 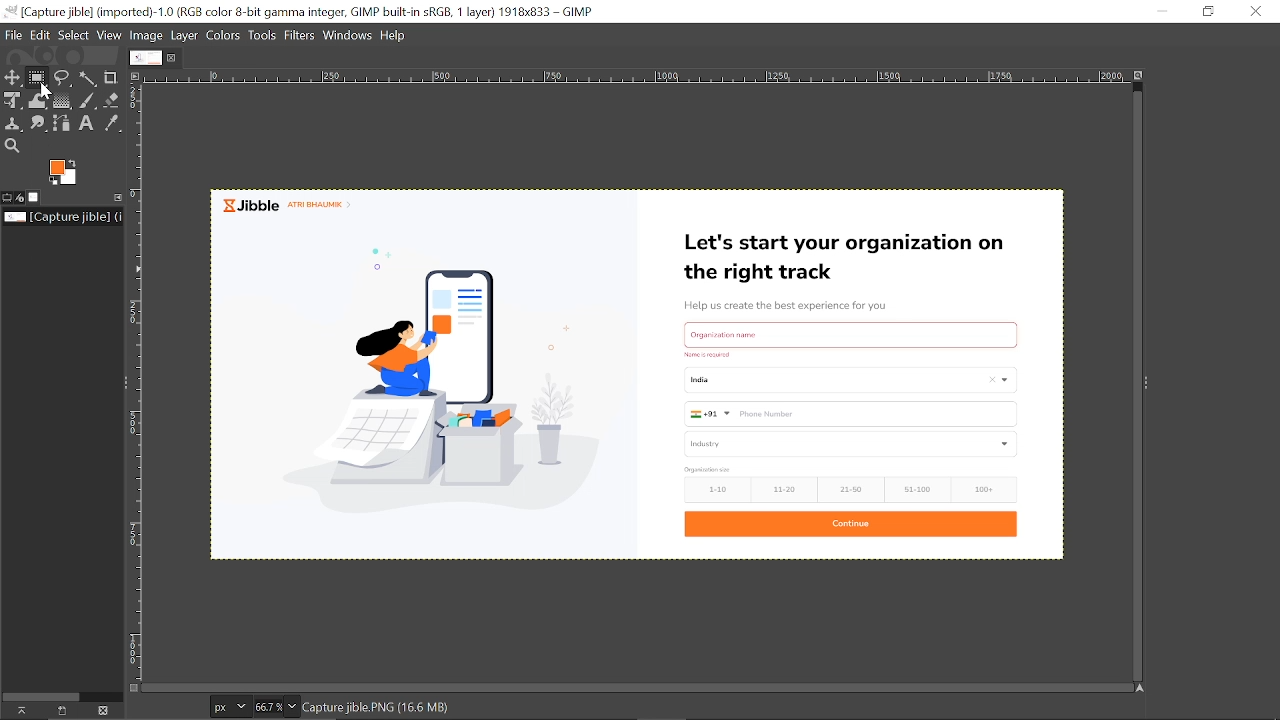 I want to click on Images, so click(x=36, y=197).